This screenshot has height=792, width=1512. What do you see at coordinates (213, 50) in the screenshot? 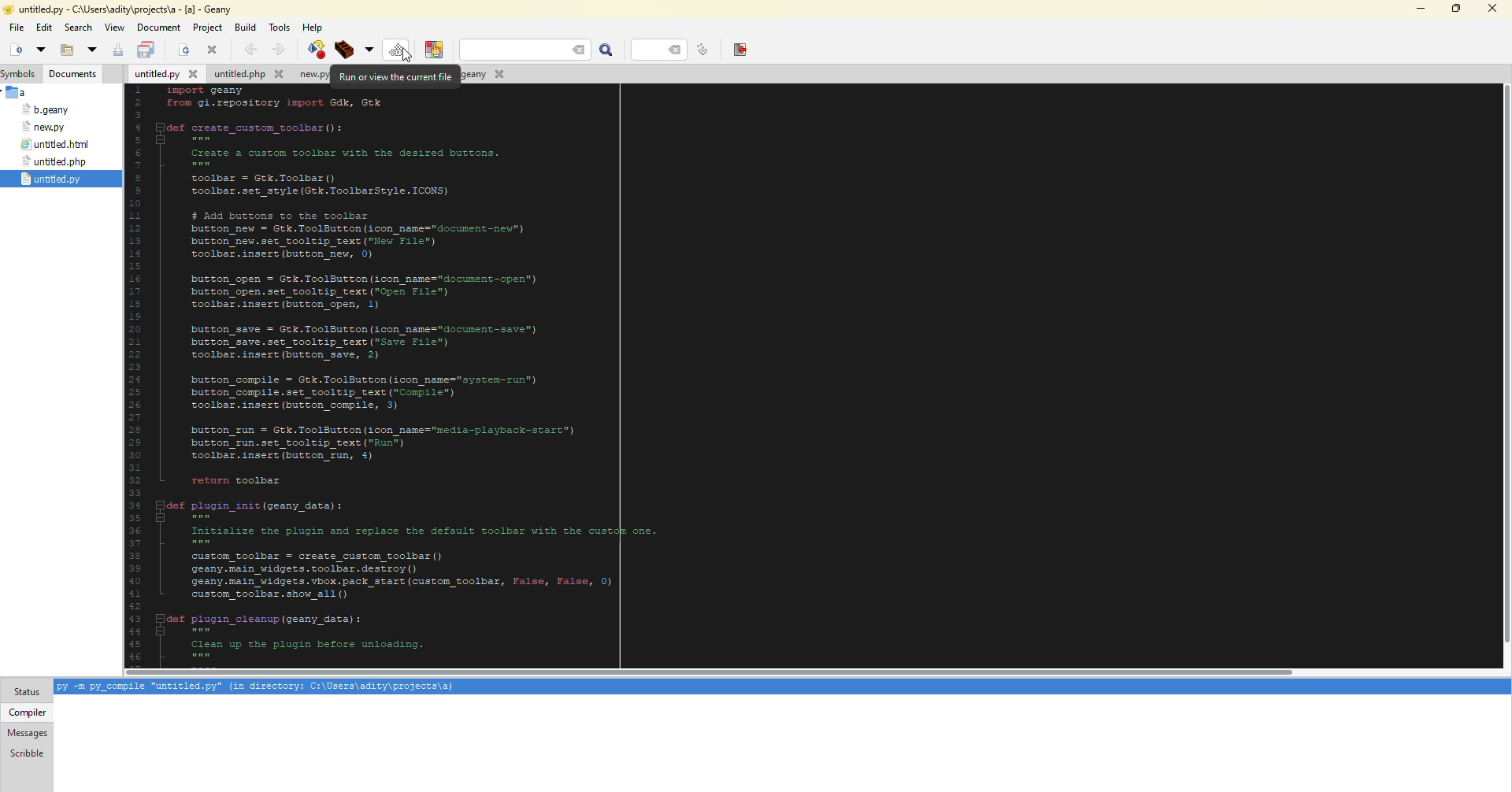
I see `close` at bounding box center [213, 50].